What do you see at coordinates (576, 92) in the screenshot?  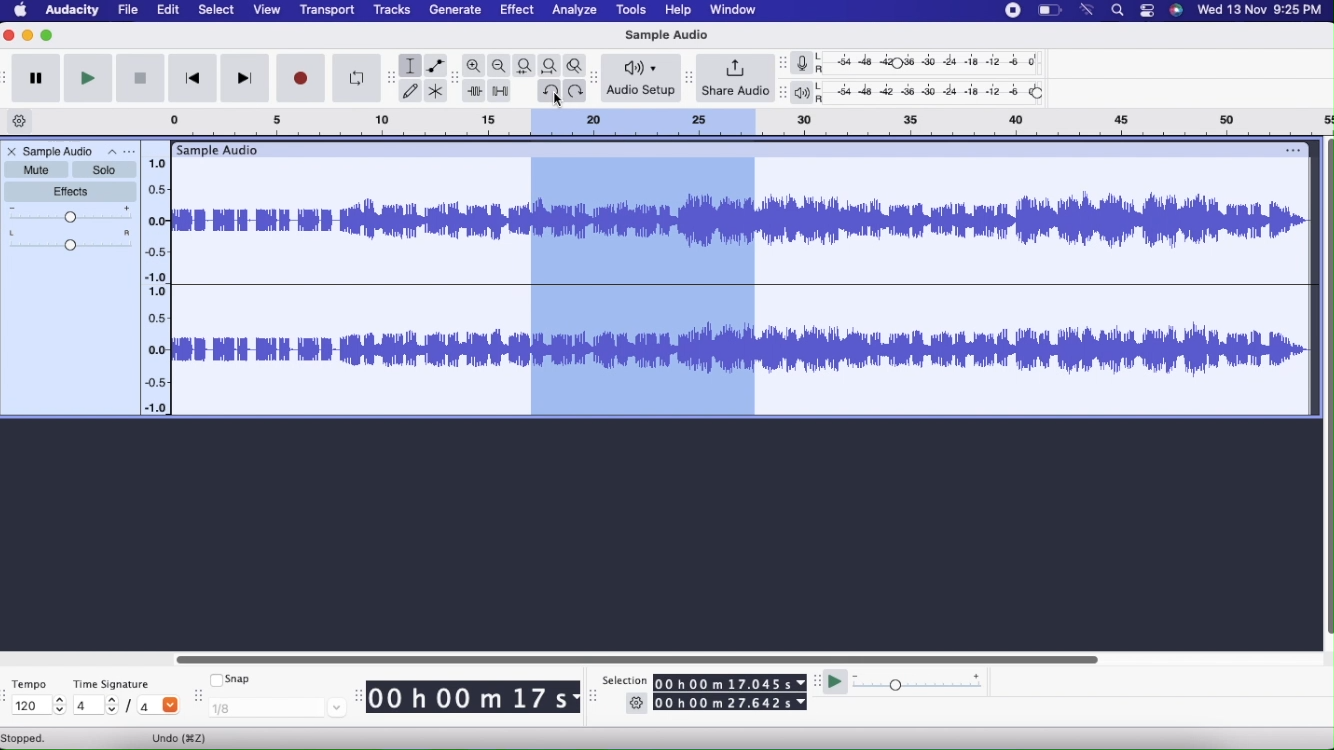 I see `Redo` at bounding box center [576, 92].